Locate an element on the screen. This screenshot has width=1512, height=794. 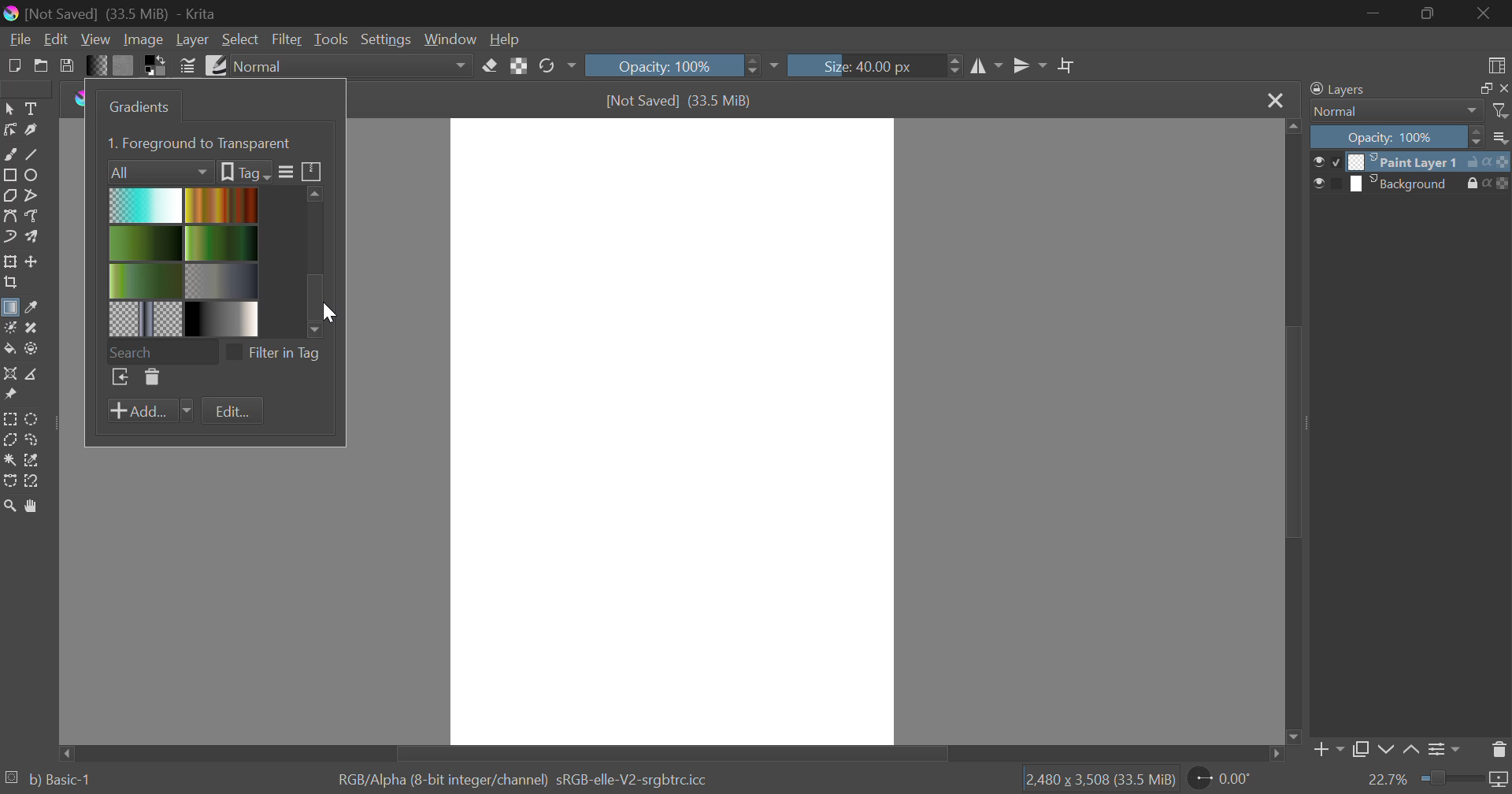
Choose Workspace is located at coordinates (1494, 62).